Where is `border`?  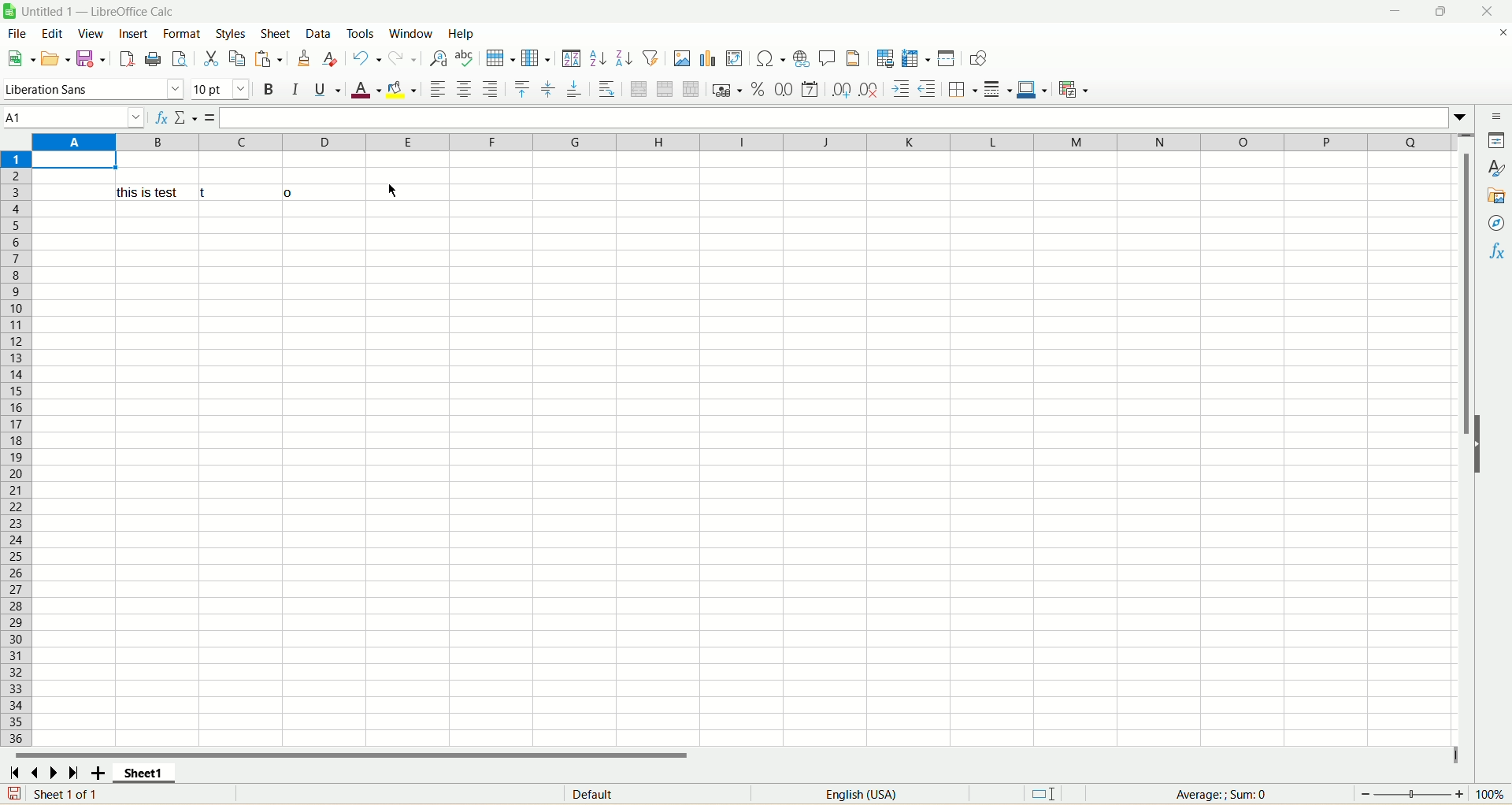
border is located at coordinates (962, 89).